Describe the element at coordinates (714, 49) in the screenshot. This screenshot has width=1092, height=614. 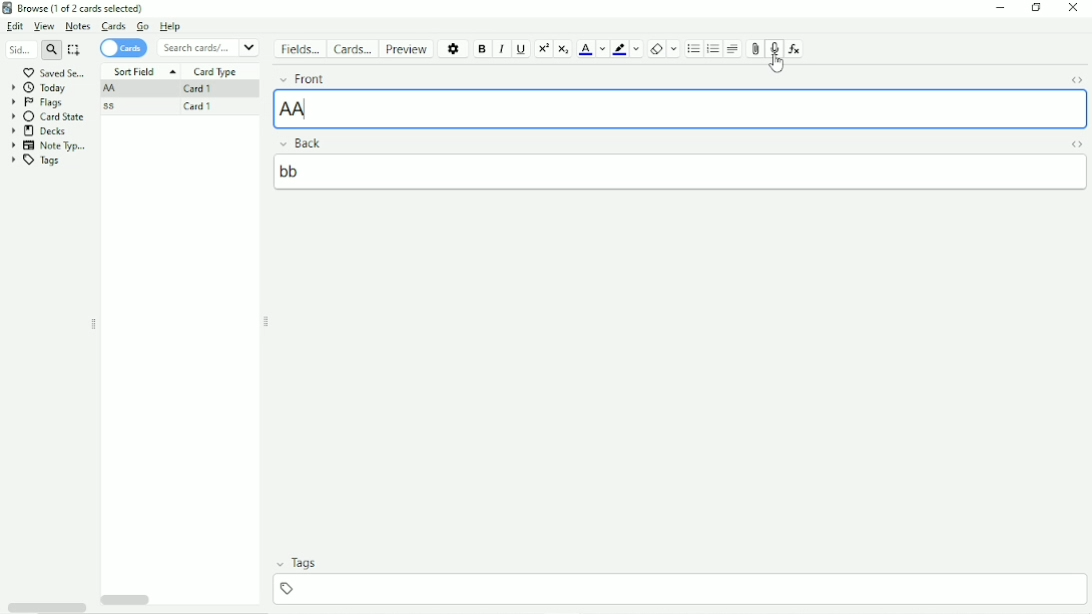
I see `Ordered list` at that location.